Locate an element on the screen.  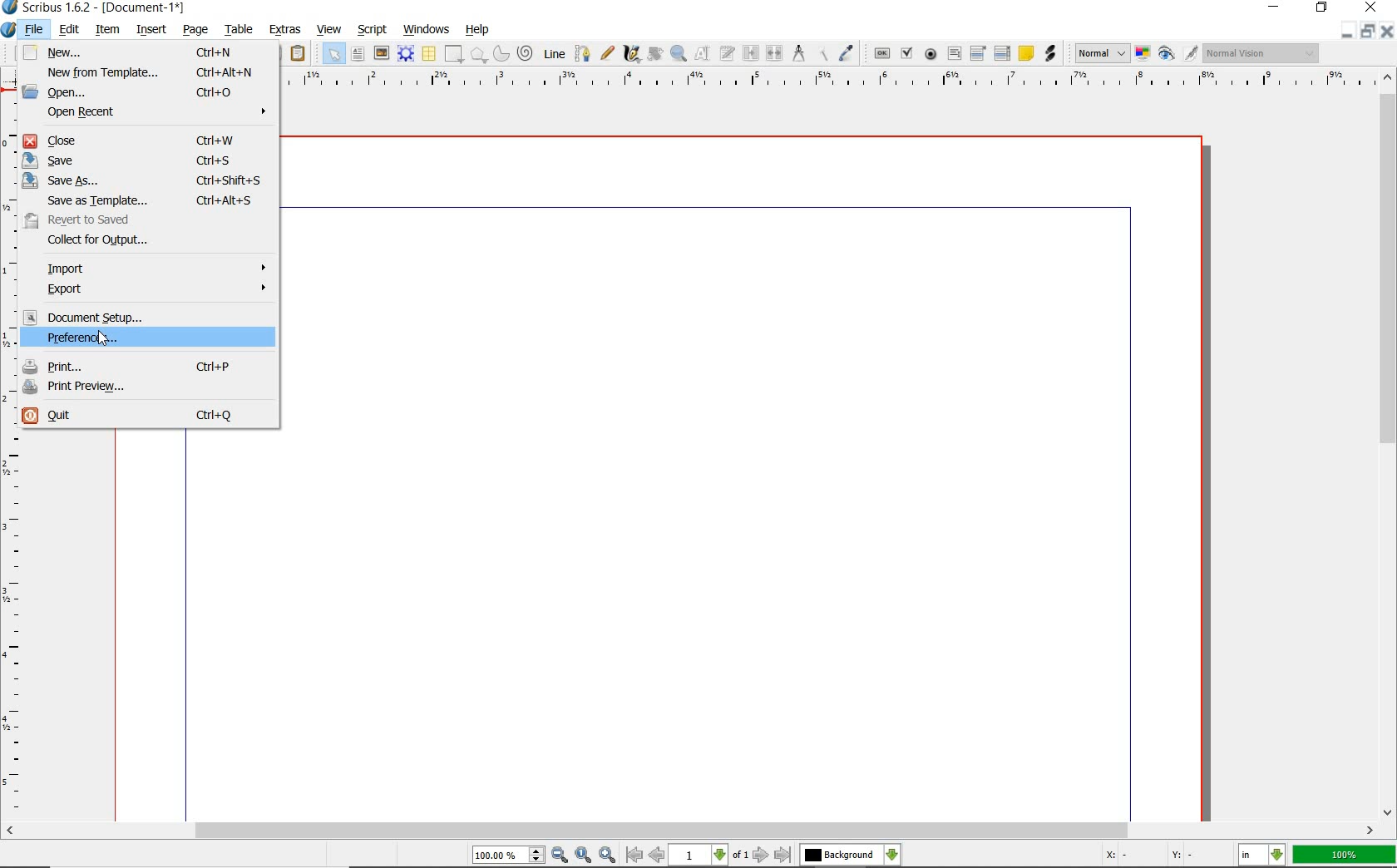
script is located at coordinates (373, 30).